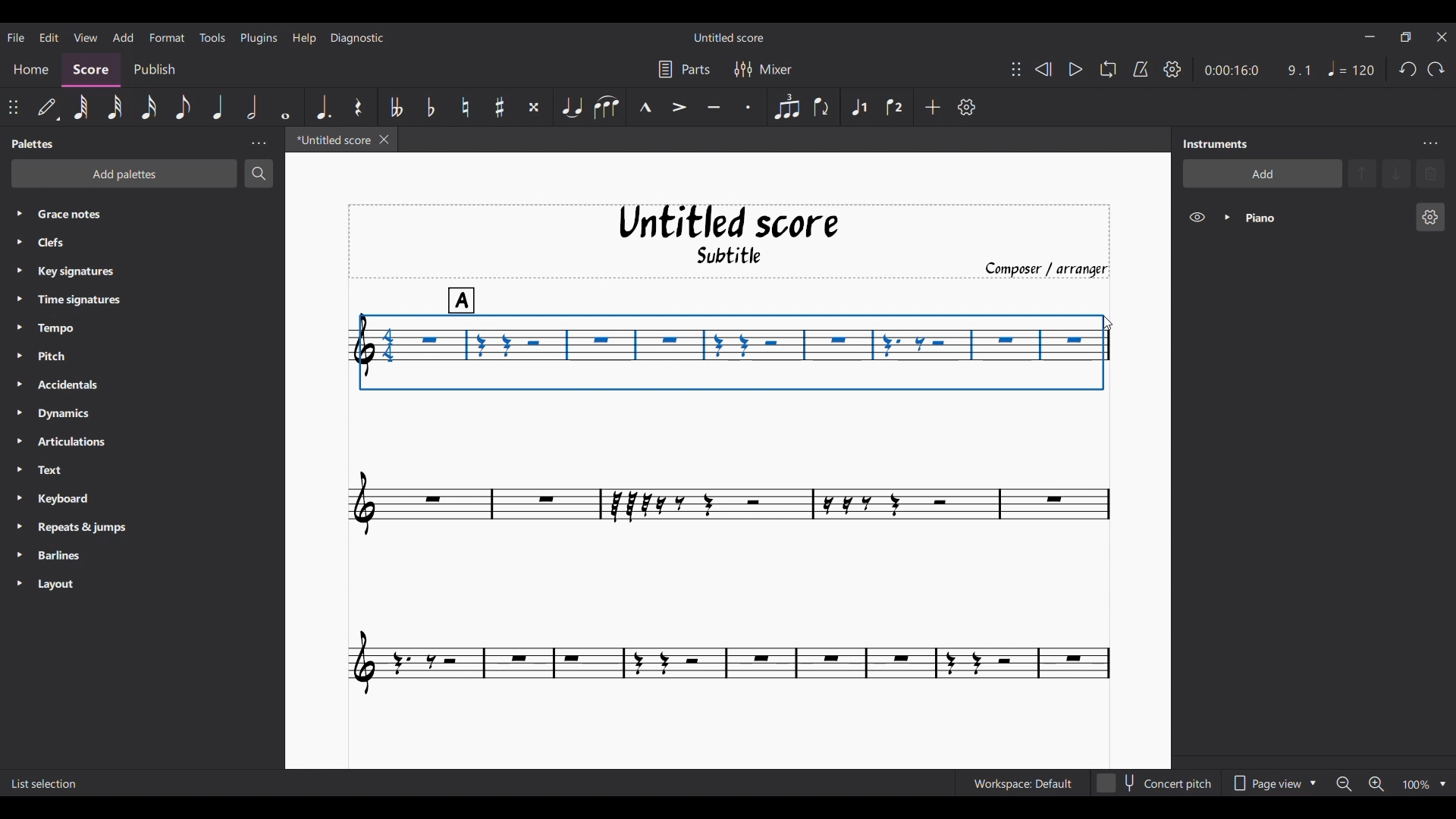  Describe the element at coordinates (15, 37) in the screenshot. I see `File menu` at that location.